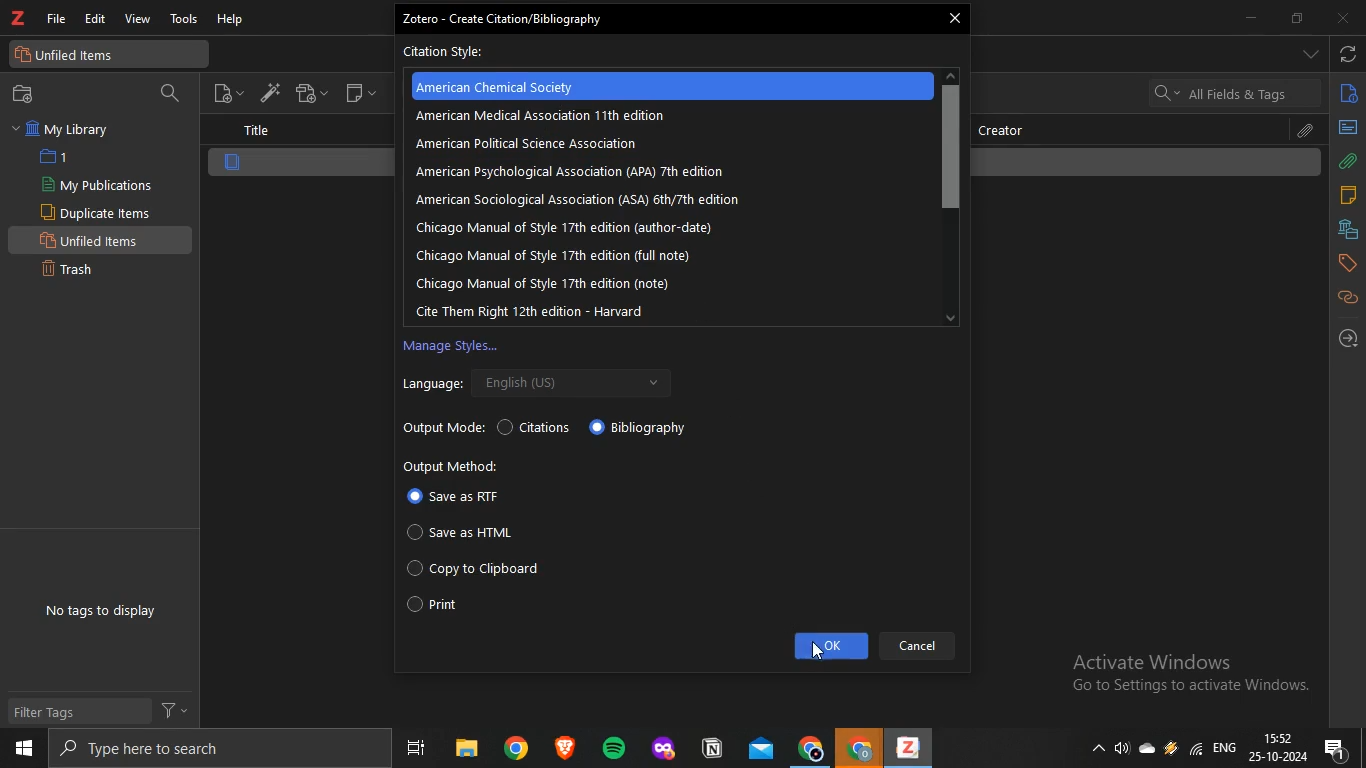  What do you see at coordinates (94, 239) in the screenshot?
I see `Unfiled Items` at bounding box center [94, 239].